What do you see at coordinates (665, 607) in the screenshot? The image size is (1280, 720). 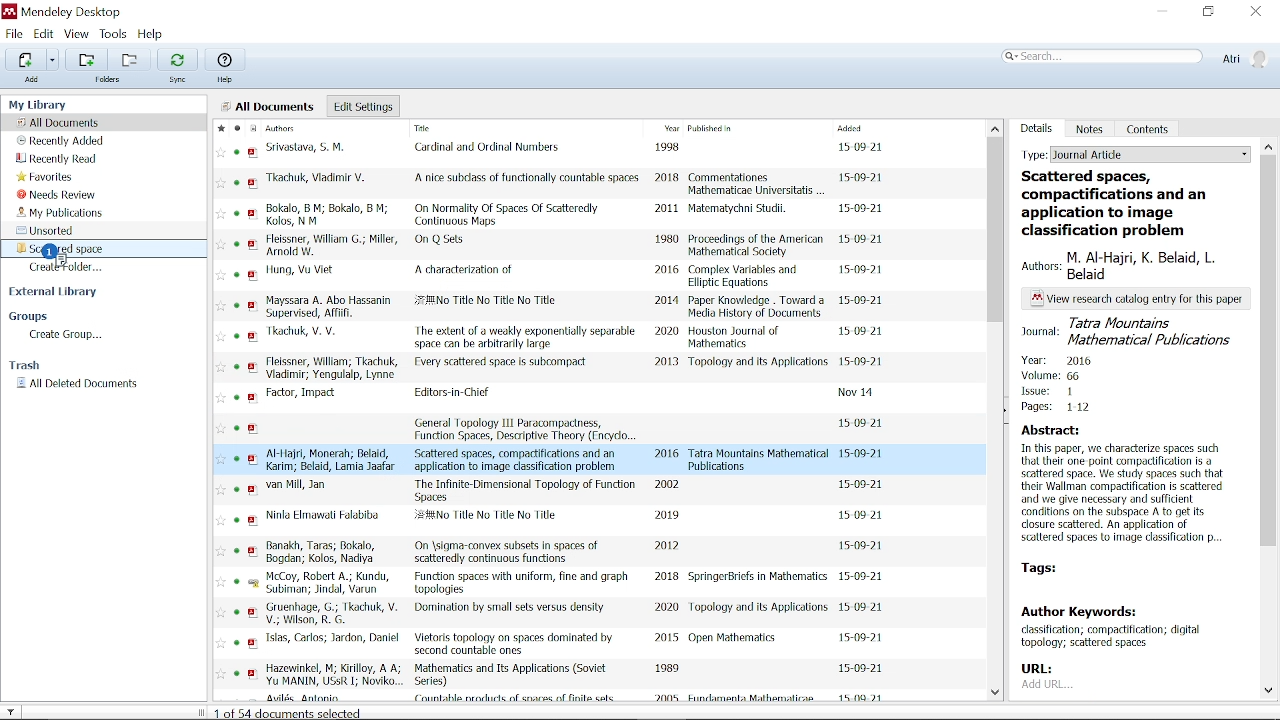 I see `2020` at bounding box center [665, 607].